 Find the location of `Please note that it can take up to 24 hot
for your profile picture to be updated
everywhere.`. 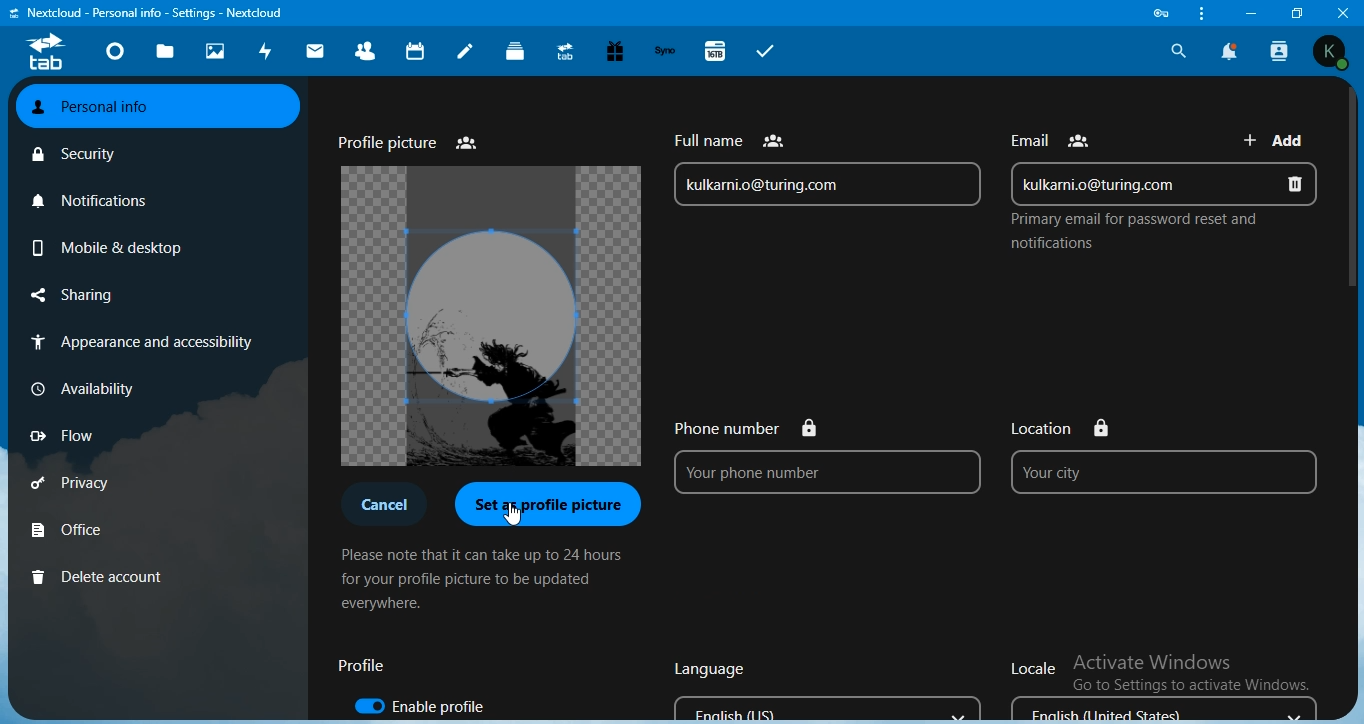

Please note that it can take up to 24 hot
for your profile picture to be updated
everywhere. is located at coordinates (482, 582).